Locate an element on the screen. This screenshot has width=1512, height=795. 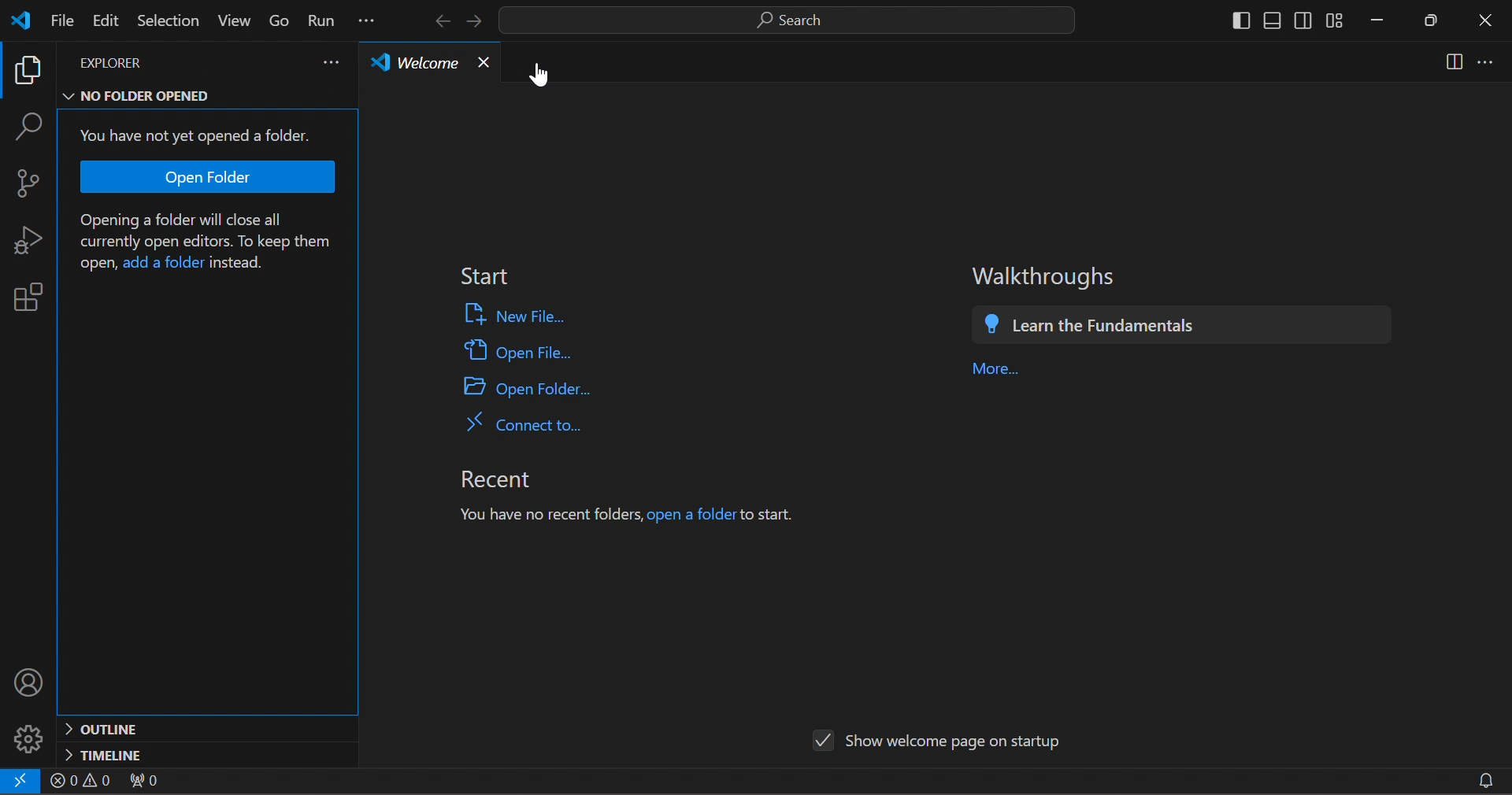
Learn the Fundamentals is located at coordinates (1111, 326).